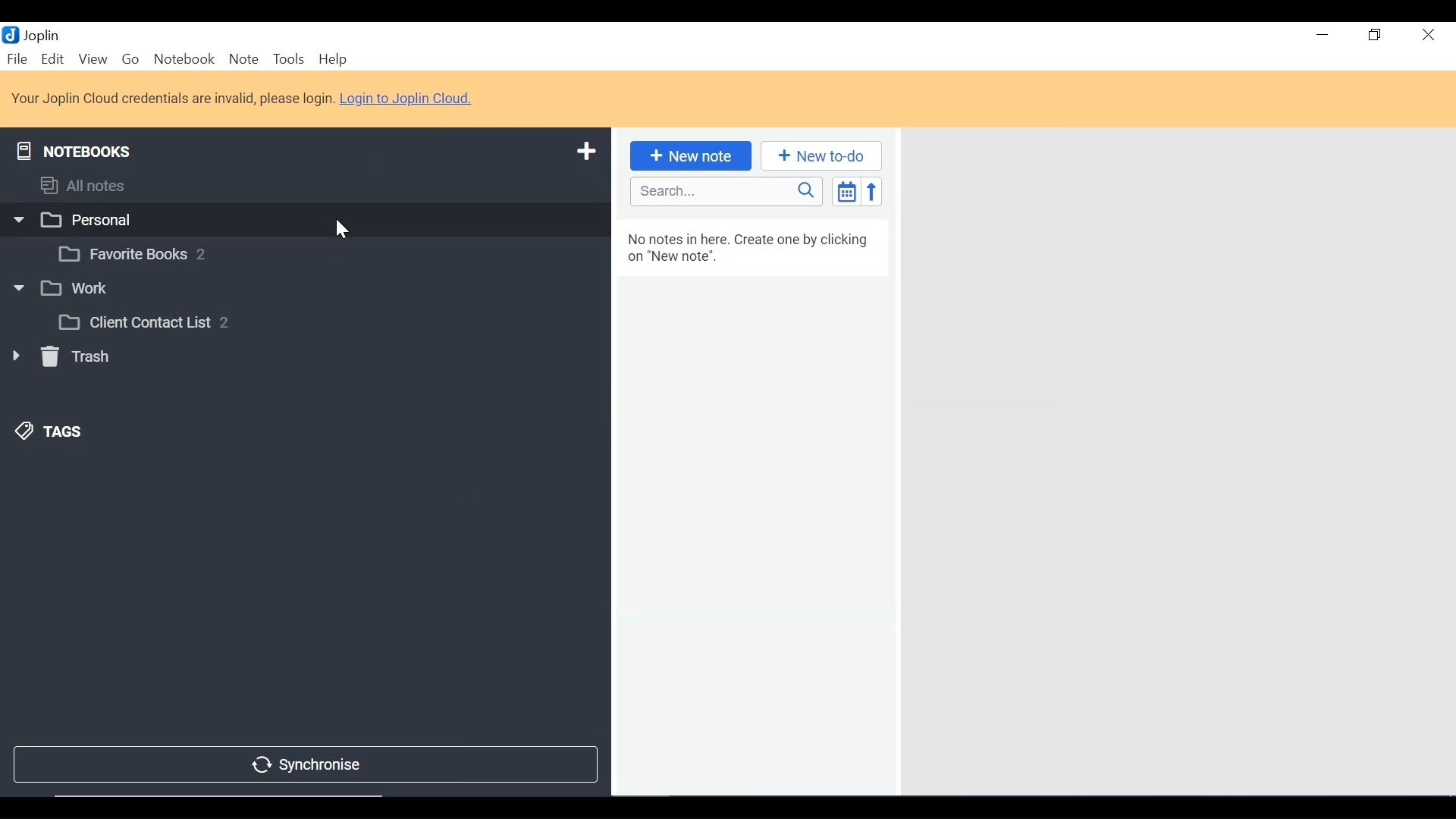 This screenshot has height=819, width=1456. Describe the element at coordinates (303, 766) in the screenshot. I see `Synchronise` at that location.